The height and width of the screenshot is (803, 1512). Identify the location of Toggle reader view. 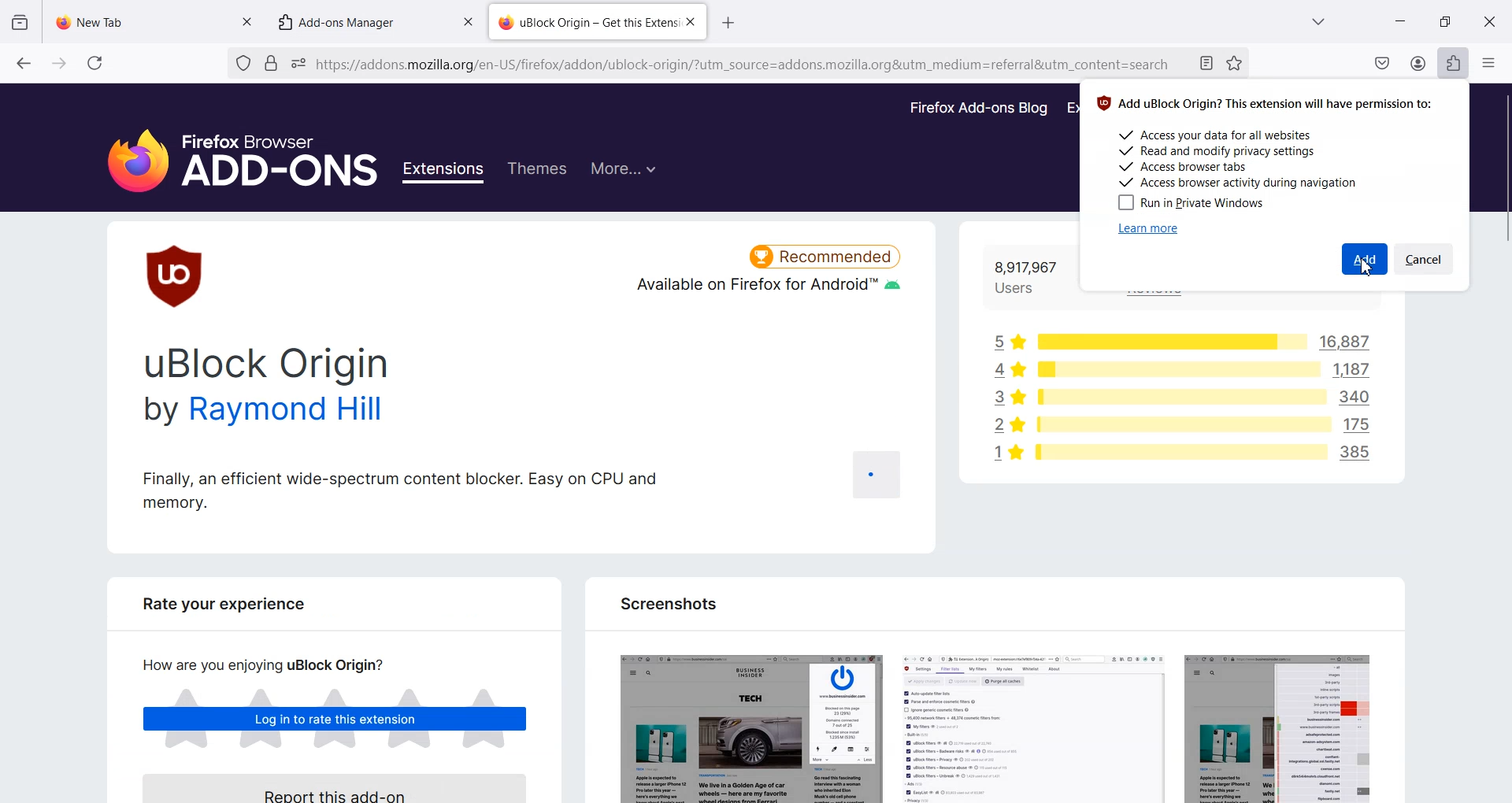
(1207, 65).